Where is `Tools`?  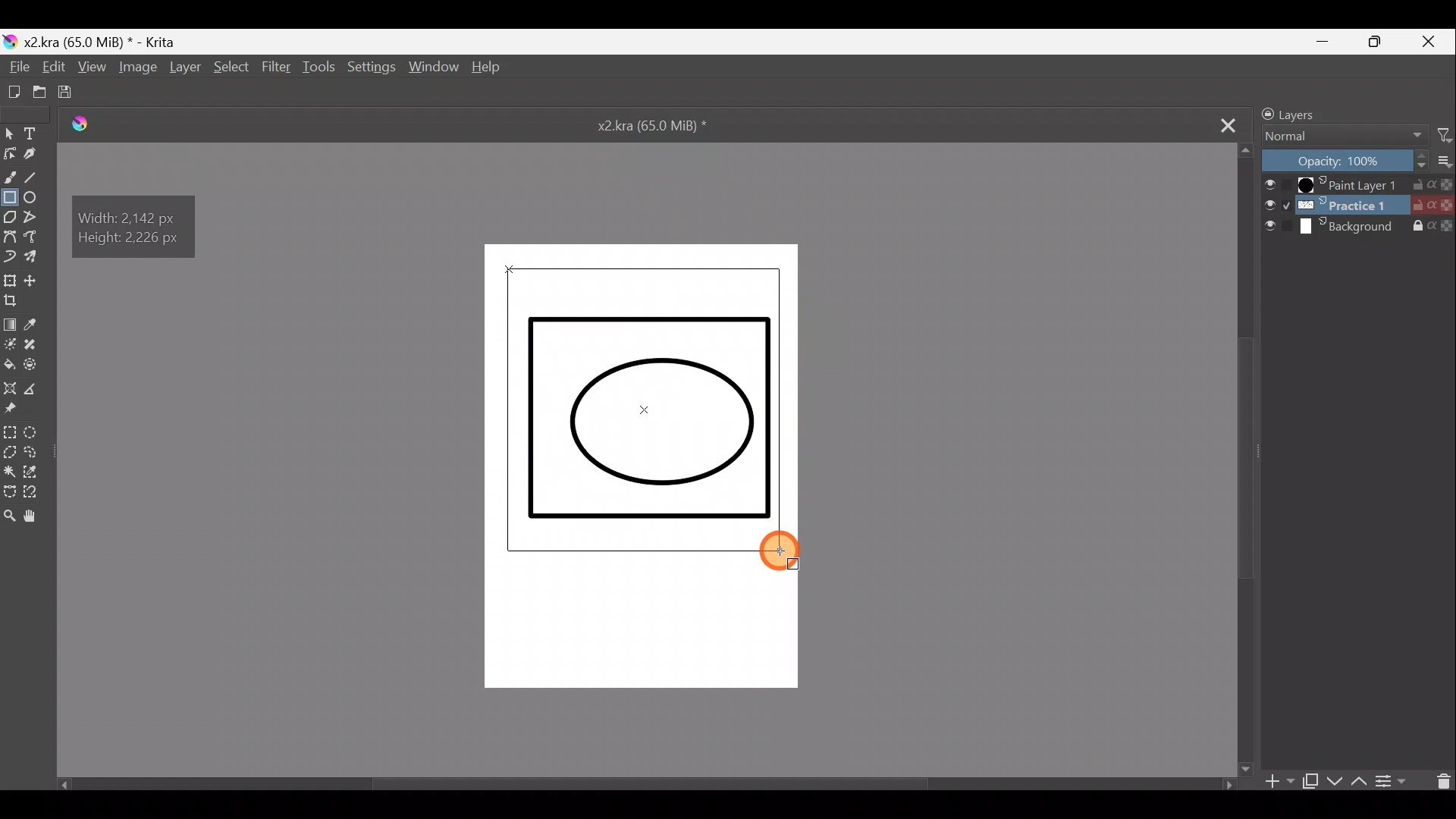
Tools is located at coordinates (319, 67).